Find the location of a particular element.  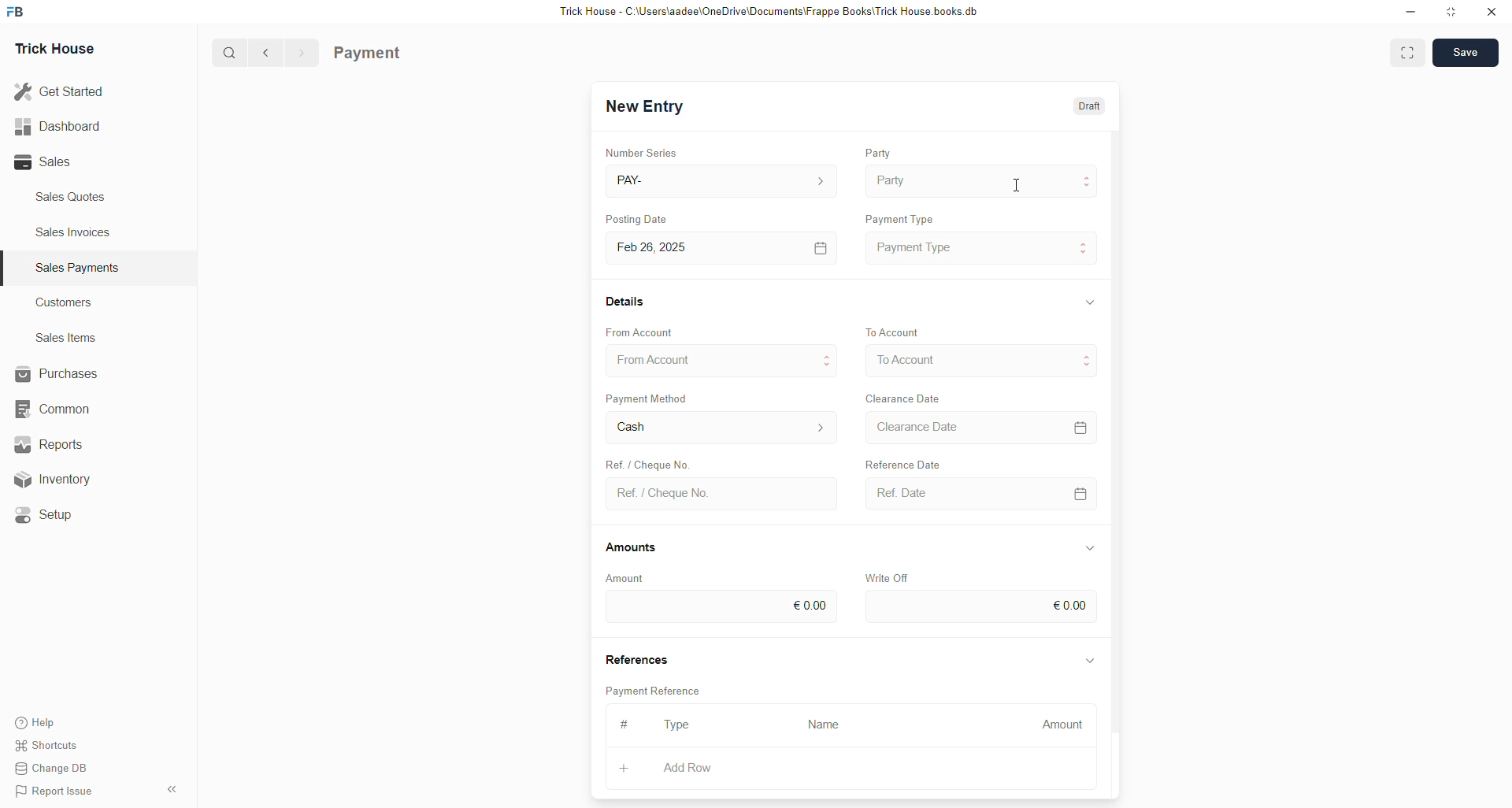

Feb 26, 2025 is located at coordinates (725, 249).